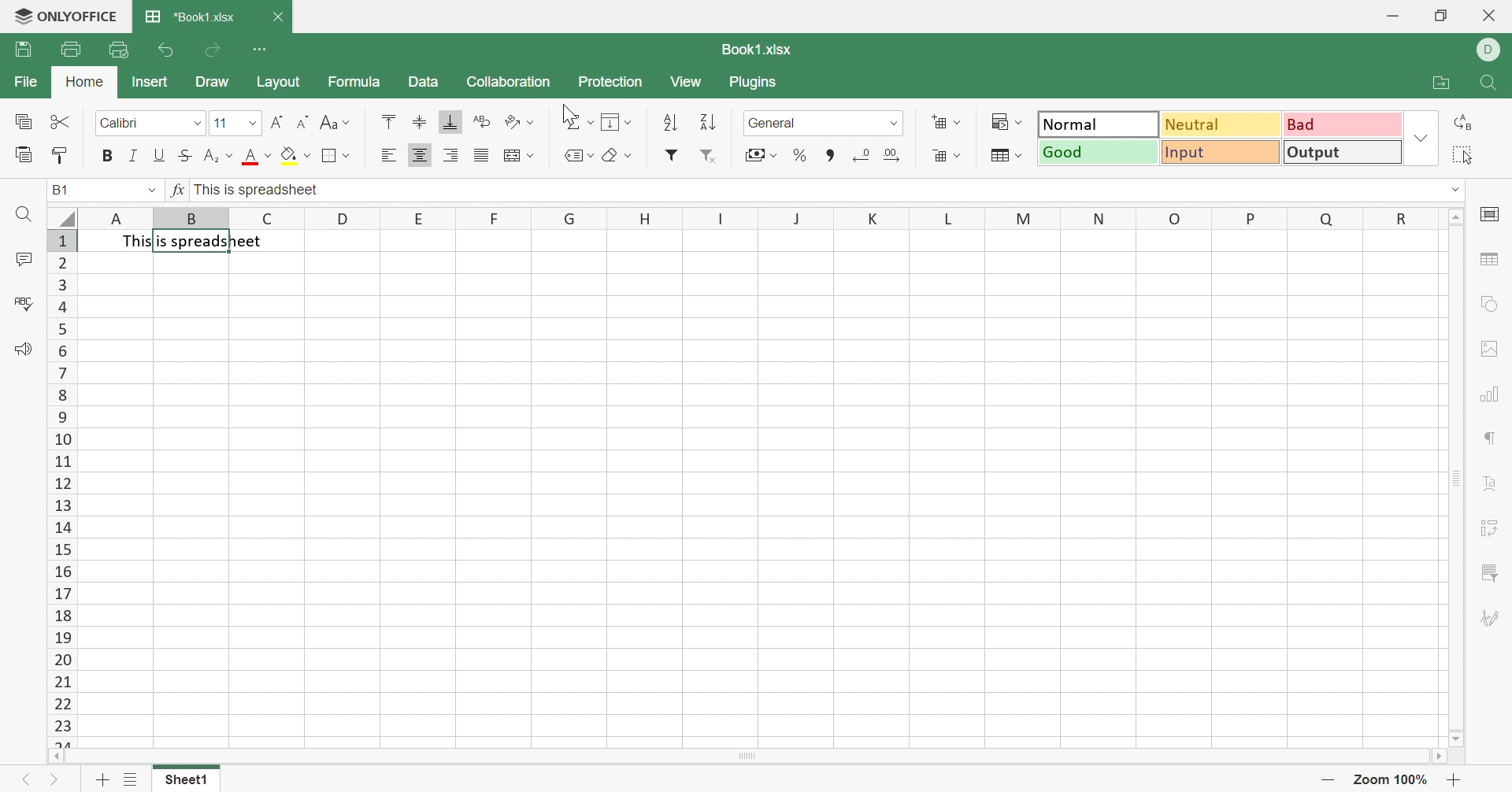  I want to click on Add sheets, so click(104, 779).